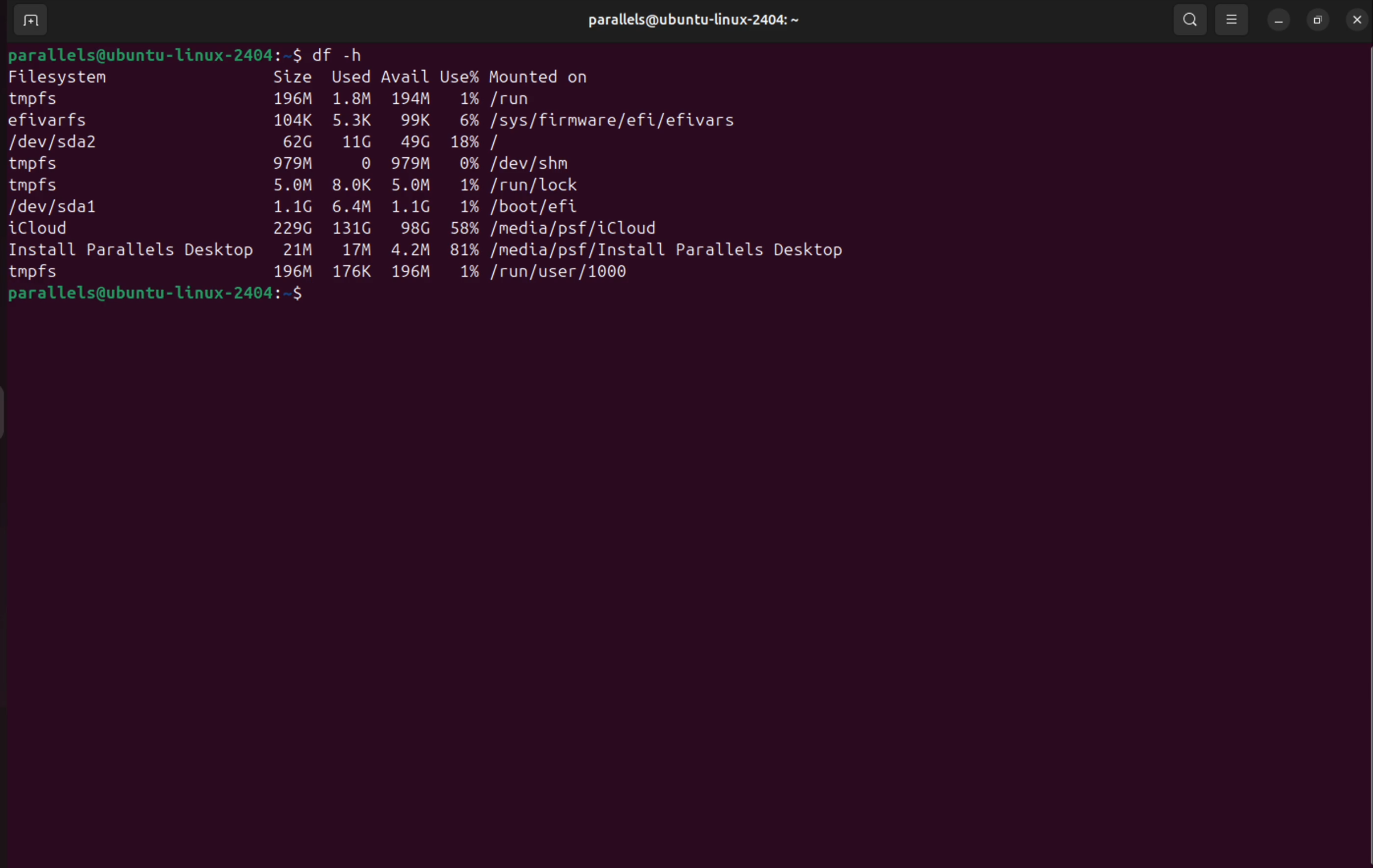  What do you see at coordinates (508, 142) in the screenshot?
I see `/` at bounding box center [508, 142].